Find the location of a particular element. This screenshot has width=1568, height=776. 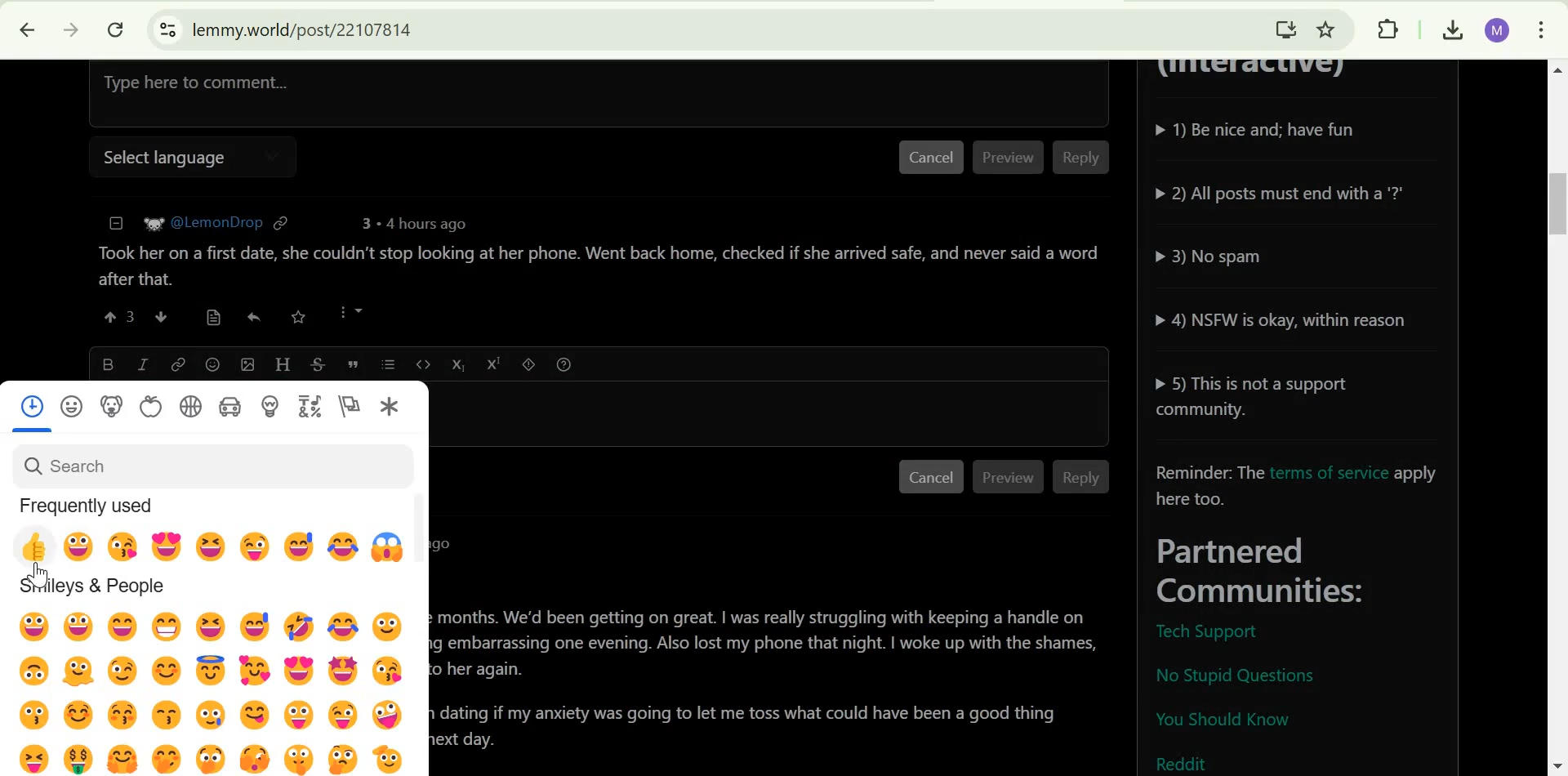

Travel & places is located at coordinates (230, 406).